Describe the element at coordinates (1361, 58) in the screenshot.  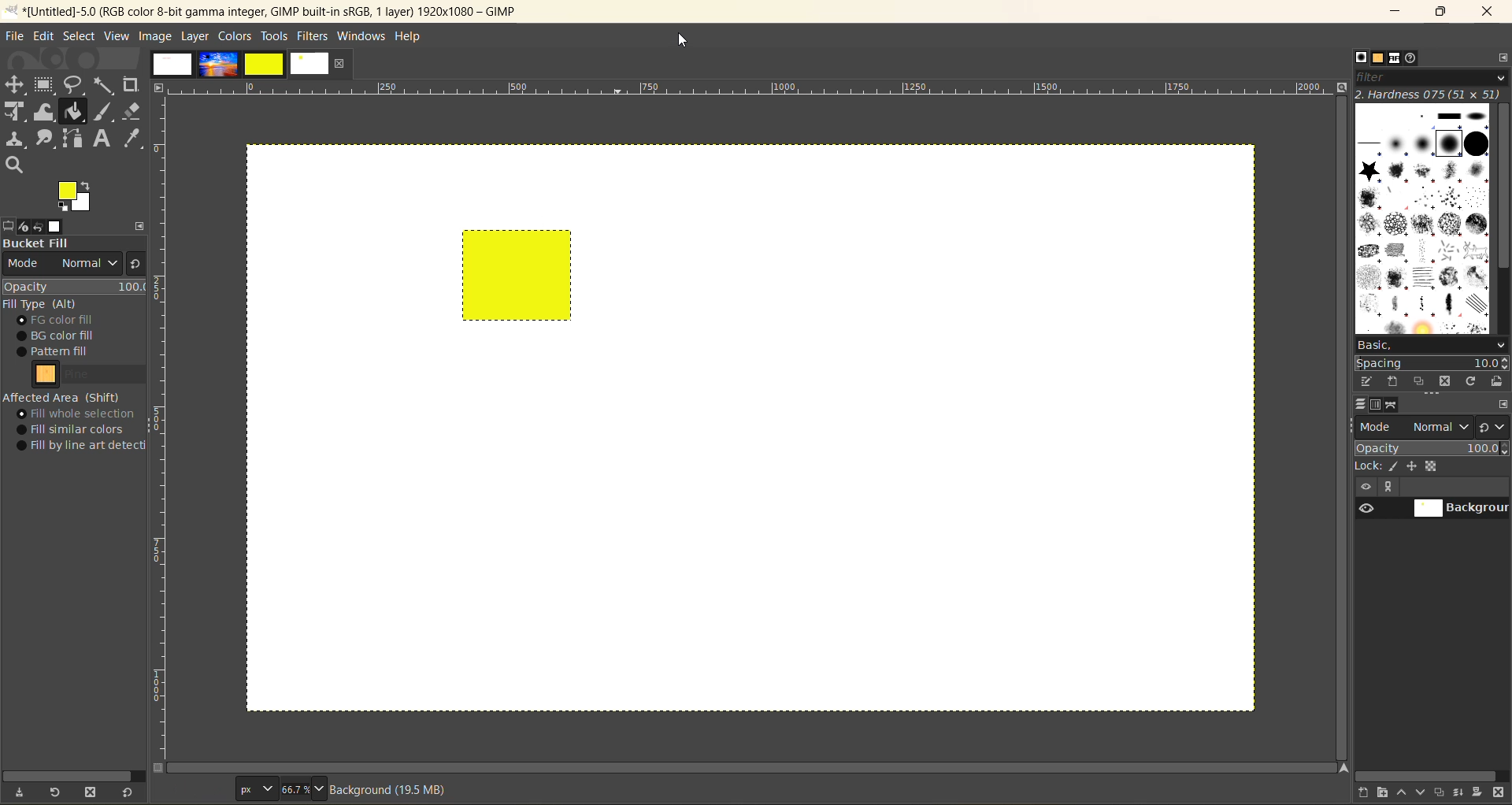
I see `brushes` at that location.